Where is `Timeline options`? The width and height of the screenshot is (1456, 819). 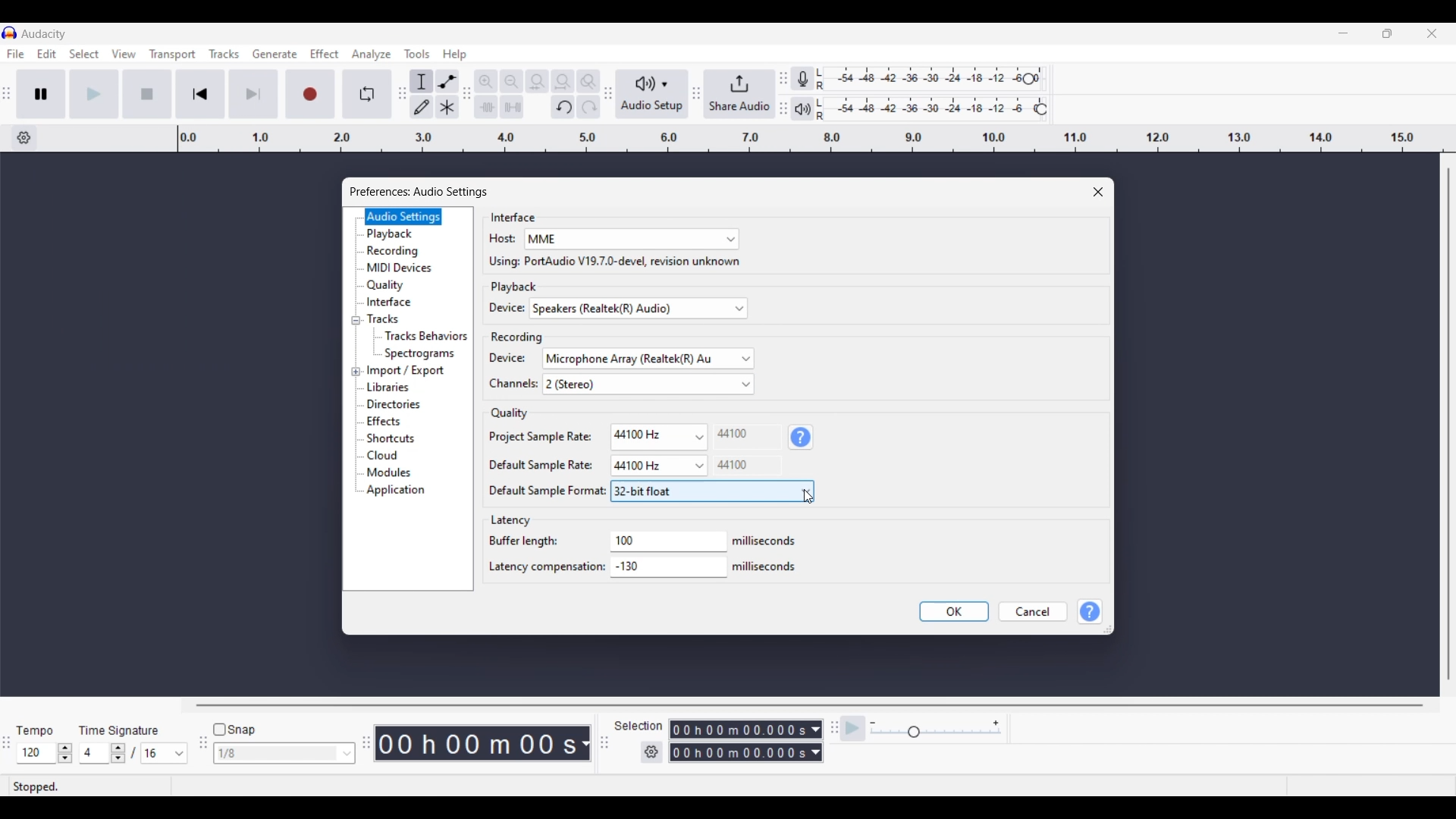 Timeline options is located at coordinates (24, 138).